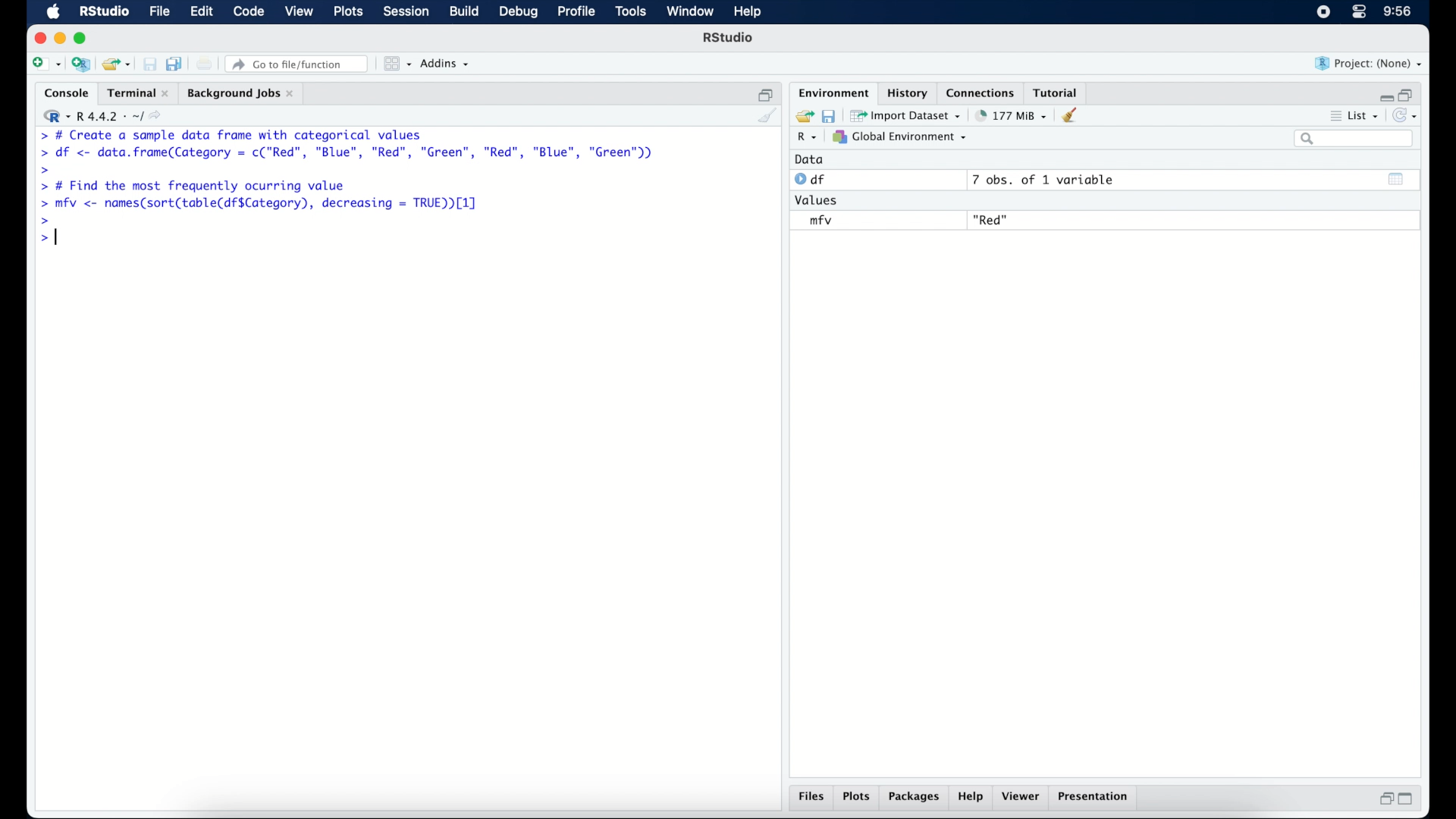 This screenshot has height=819, width=1456. Describe the element at coordinates (1355, 140) in the screenshot. I see `search bar` at that location.